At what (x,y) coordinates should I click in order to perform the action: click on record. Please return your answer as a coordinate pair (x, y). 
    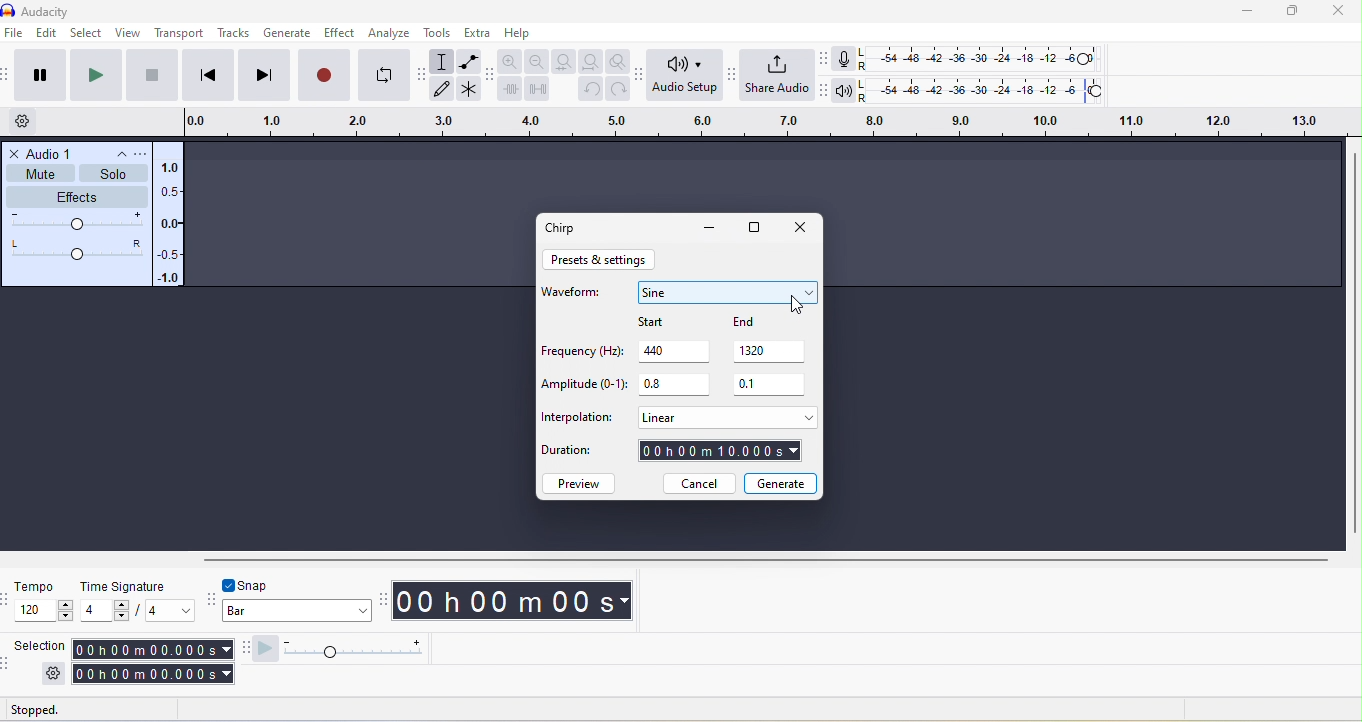
    Looking at the image, I should click on (323, 75).